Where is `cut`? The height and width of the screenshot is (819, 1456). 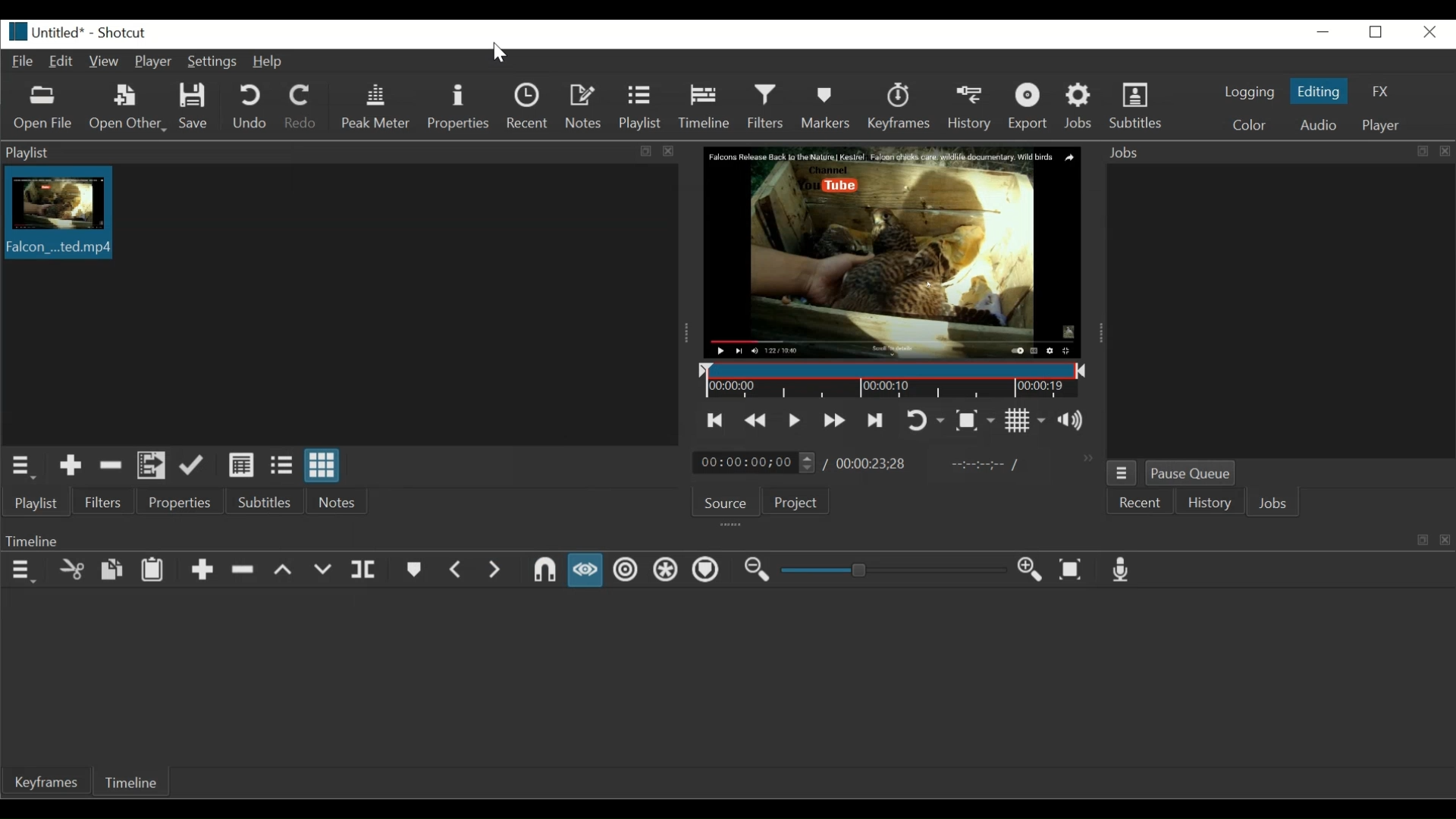
cut is located at coordinates (67, 570).